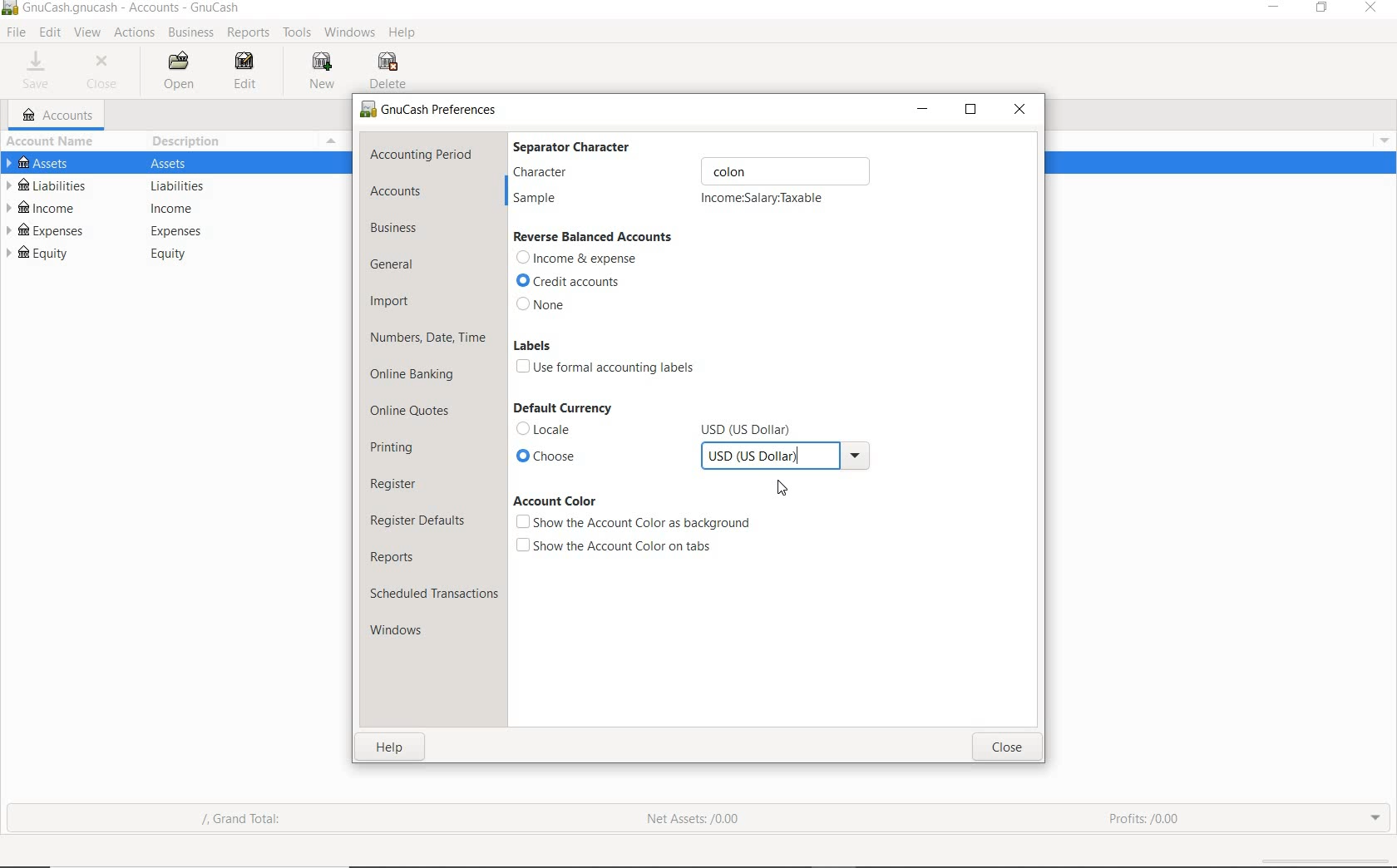 The height and width of the screenshot is (868, 1397). What do you see at coordinates (397, 190) in the screenshot?
I see `accounts` at bounding box center [397, 190].